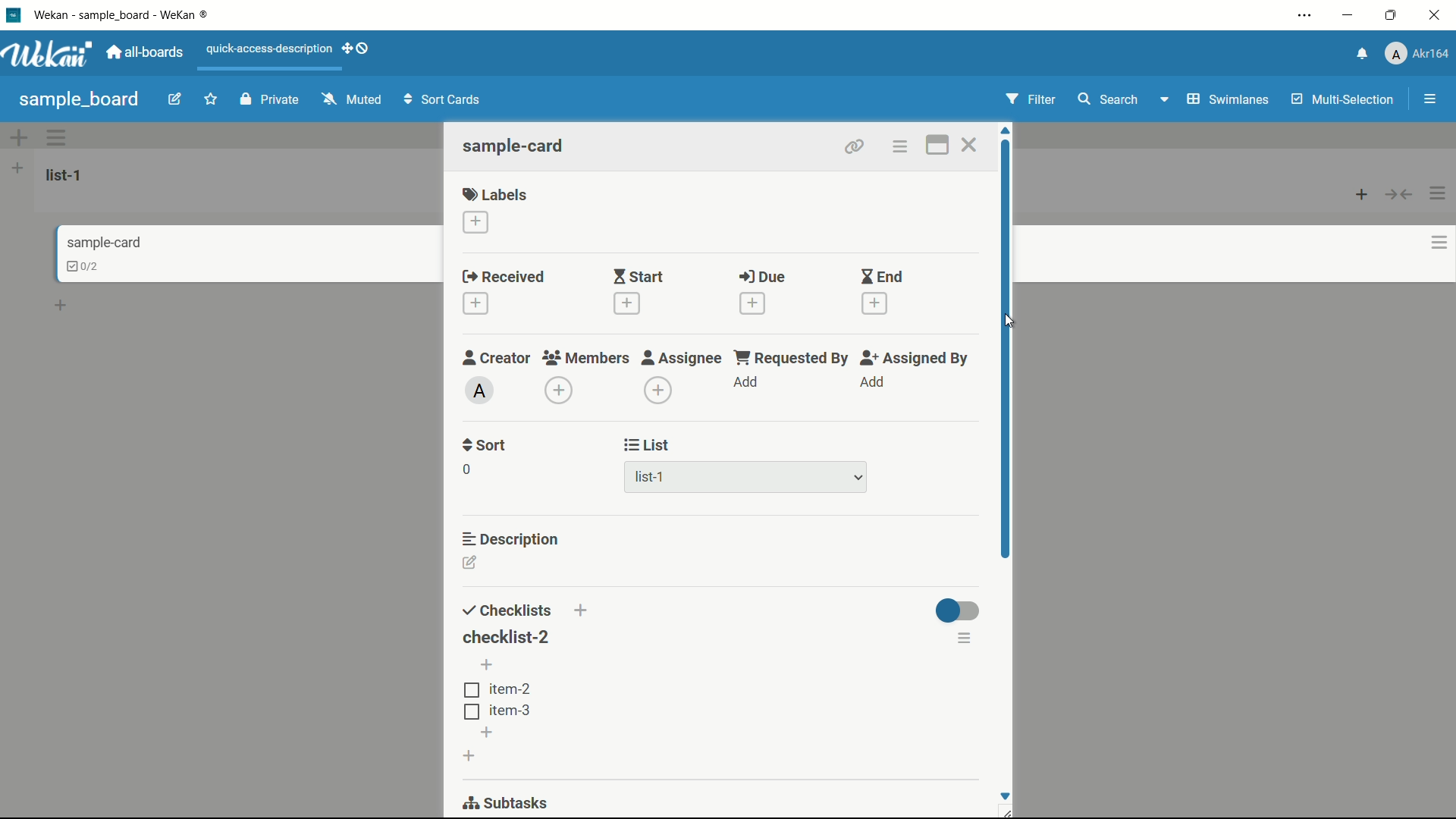  What do you see at coordinates (495, 192) in the screenshot?
I see `labels` at bounding box center [495, 192].